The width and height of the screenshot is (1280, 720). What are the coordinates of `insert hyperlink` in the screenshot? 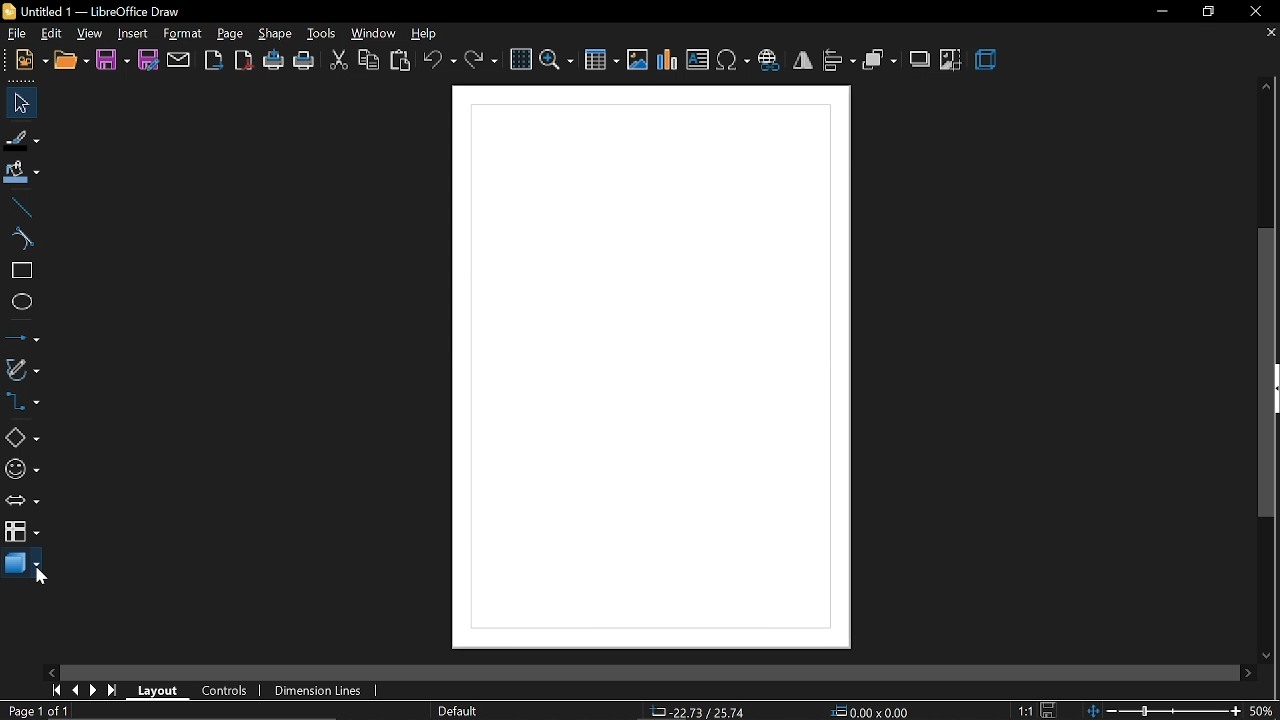 It's located at (769, 62).